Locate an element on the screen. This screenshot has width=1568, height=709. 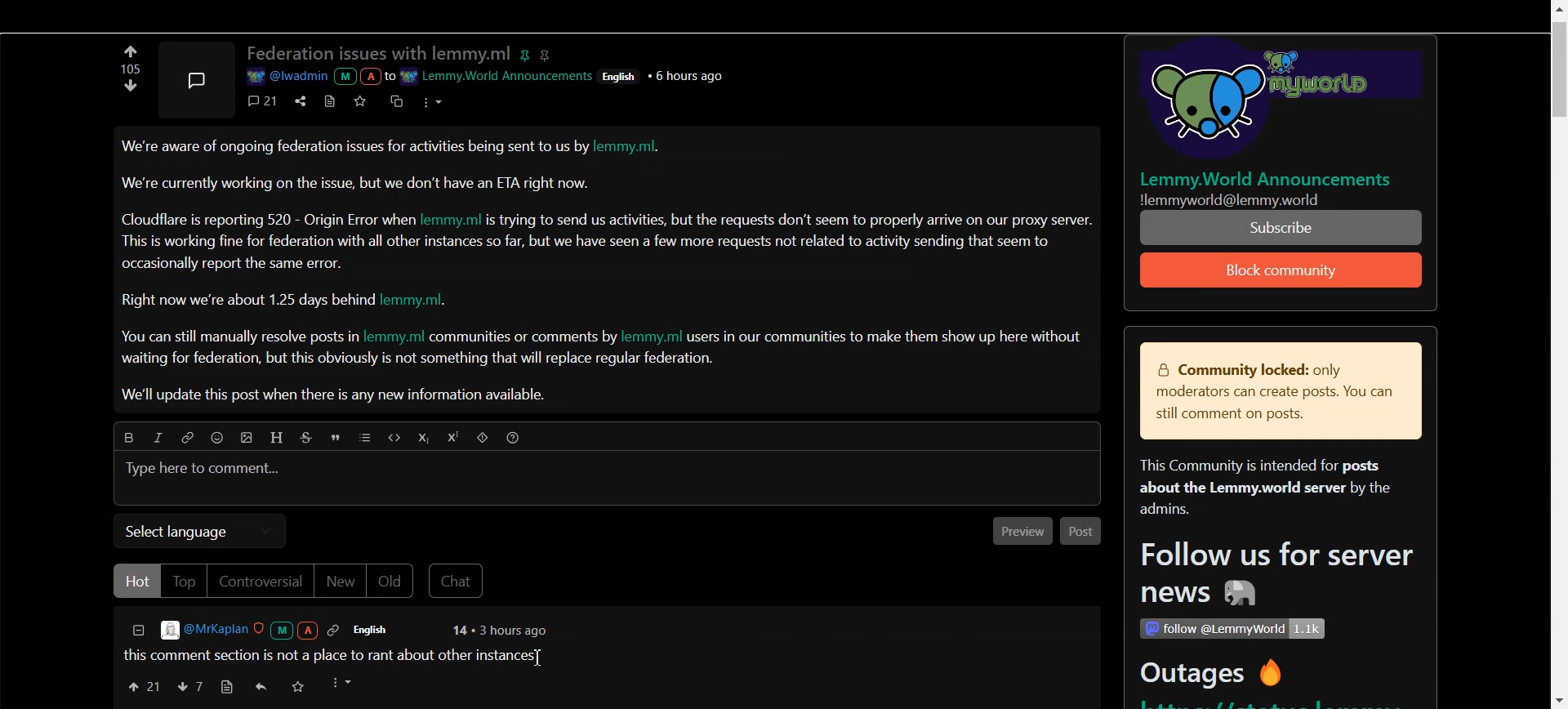
| Lemmy.World Announcements is located at coordinates (1273, 179).